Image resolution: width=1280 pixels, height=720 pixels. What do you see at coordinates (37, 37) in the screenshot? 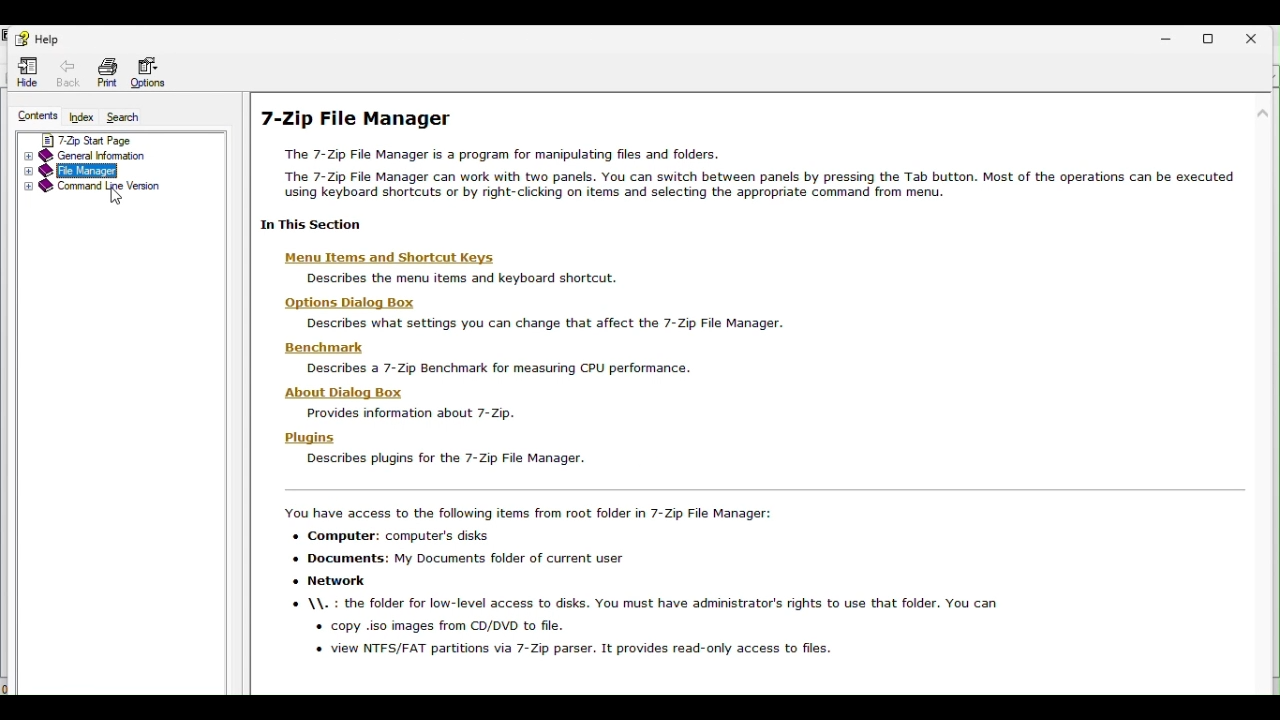
I see `Help` at bounding box center [37, 37].